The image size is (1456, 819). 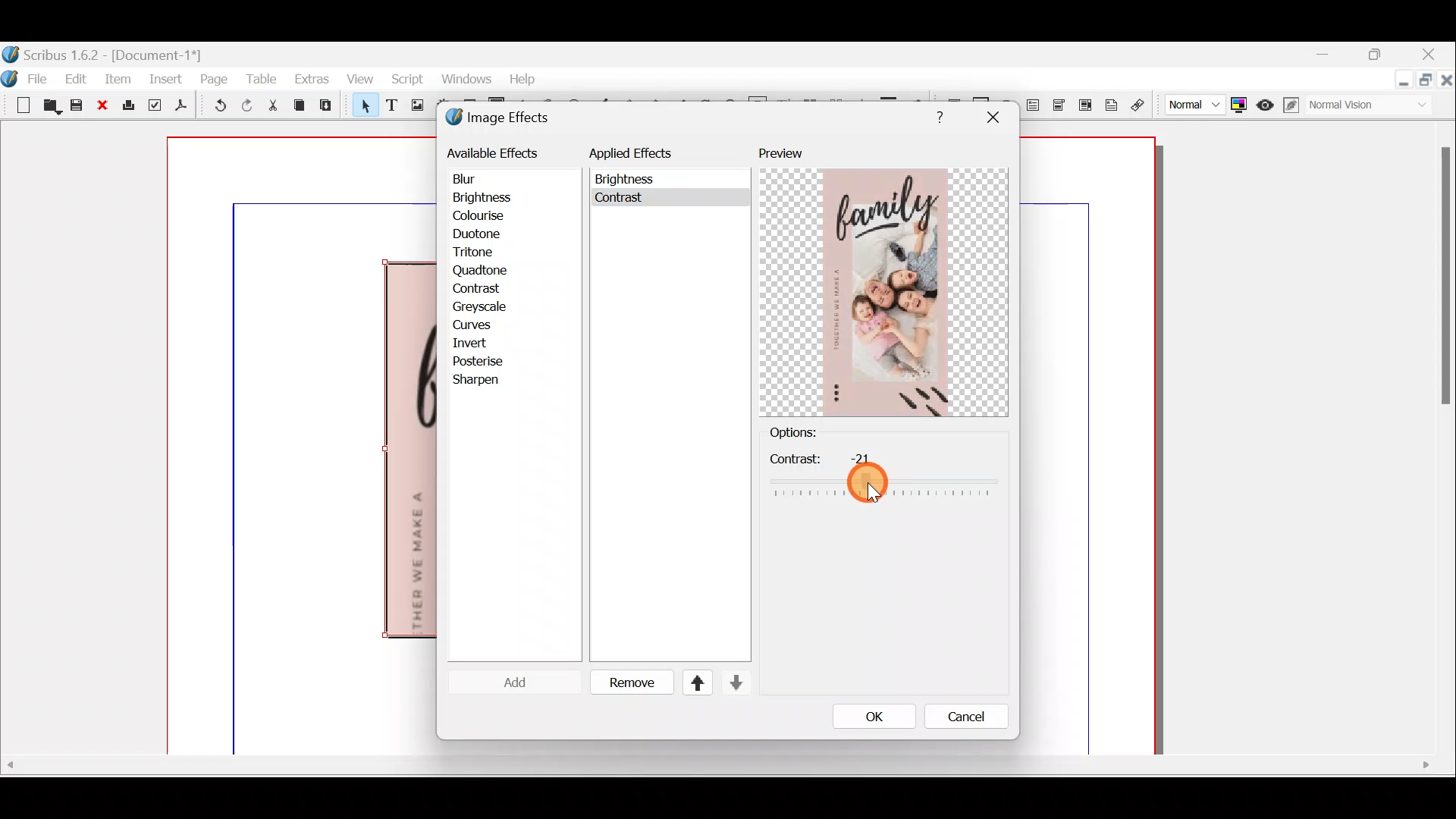 I want to click on Cursor, so click(x=504, y=682).